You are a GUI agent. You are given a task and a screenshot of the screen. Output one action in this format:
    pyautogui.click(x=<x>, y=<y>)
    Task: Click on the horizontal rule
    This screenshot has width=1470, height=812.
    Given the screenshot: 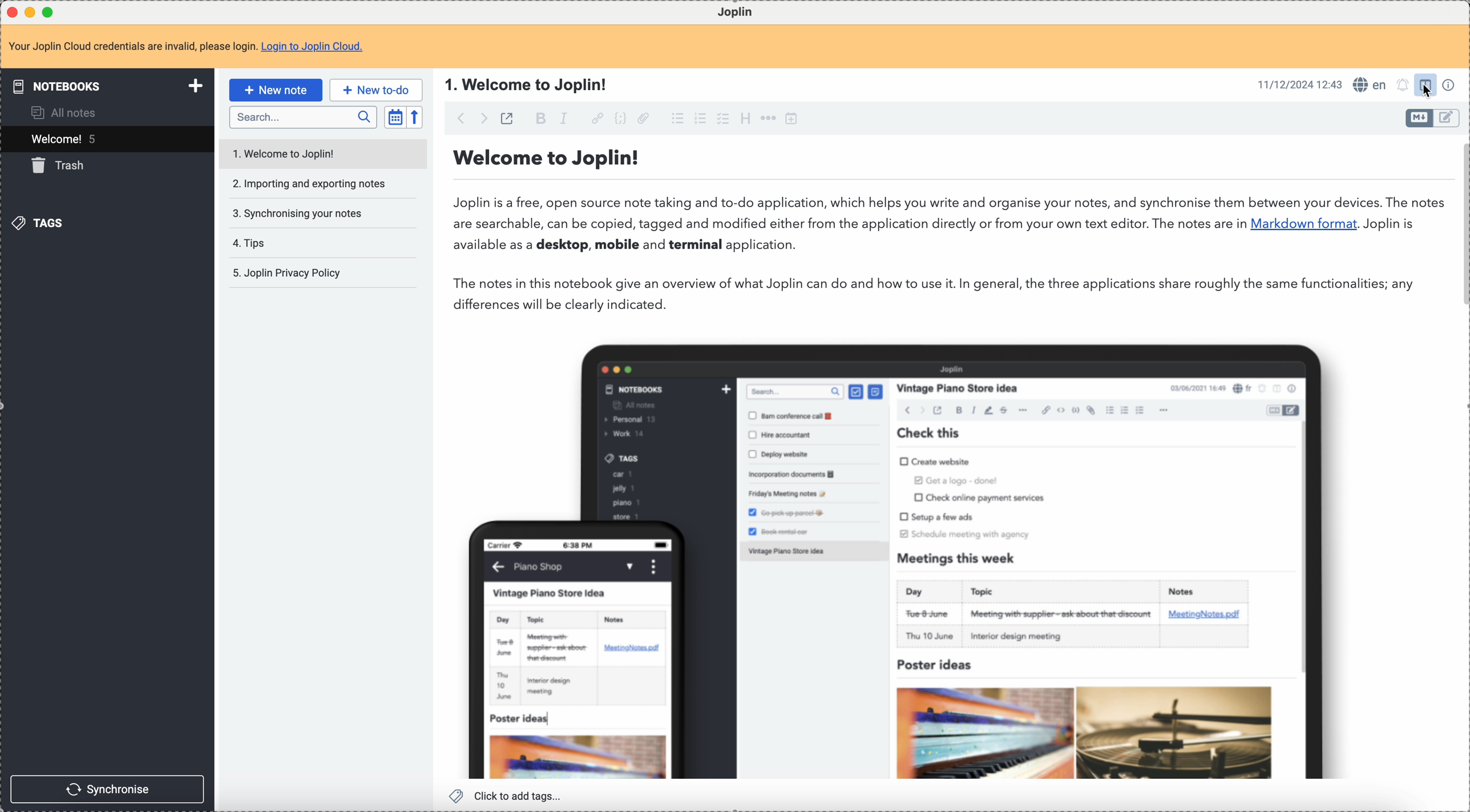 What is the action you would take?
    pyautogui.click(x=767, y=119)
    